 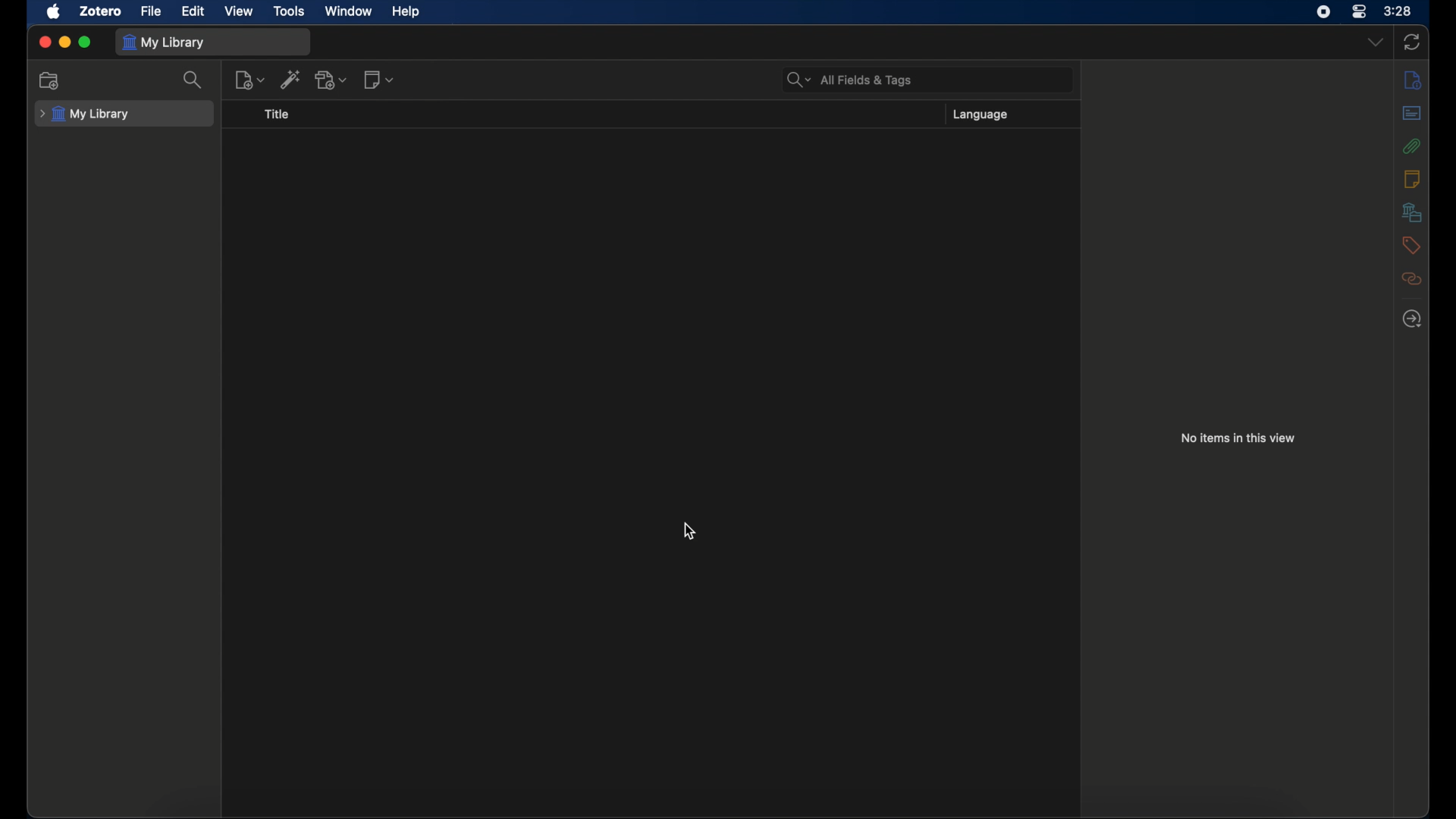 What do you see at coordinates (850, 80) in the screenshot?
I see `all fields & tags` at bounding box center [850, 80].